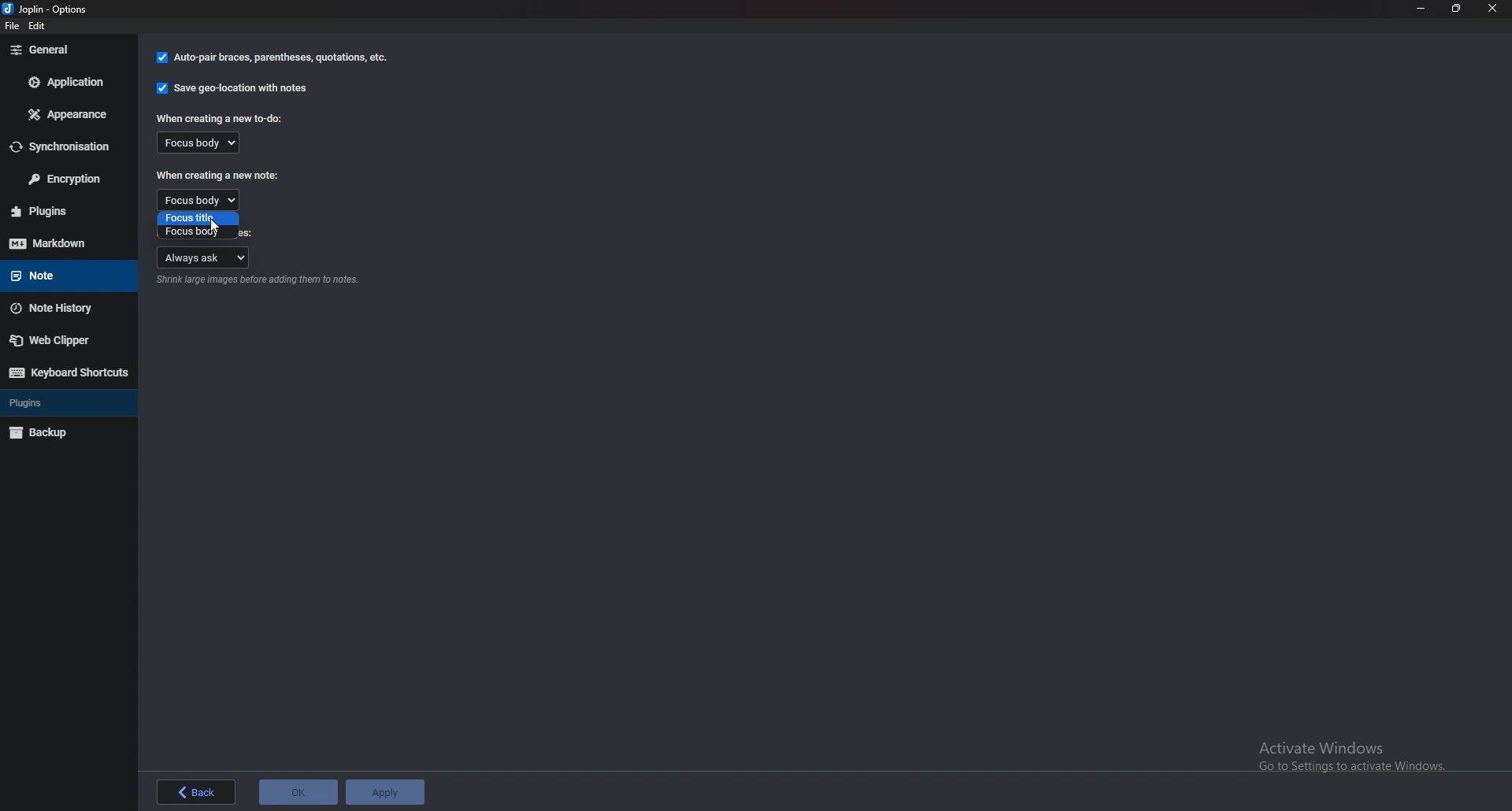  I want to click on Minimize, so click(1421, 9).